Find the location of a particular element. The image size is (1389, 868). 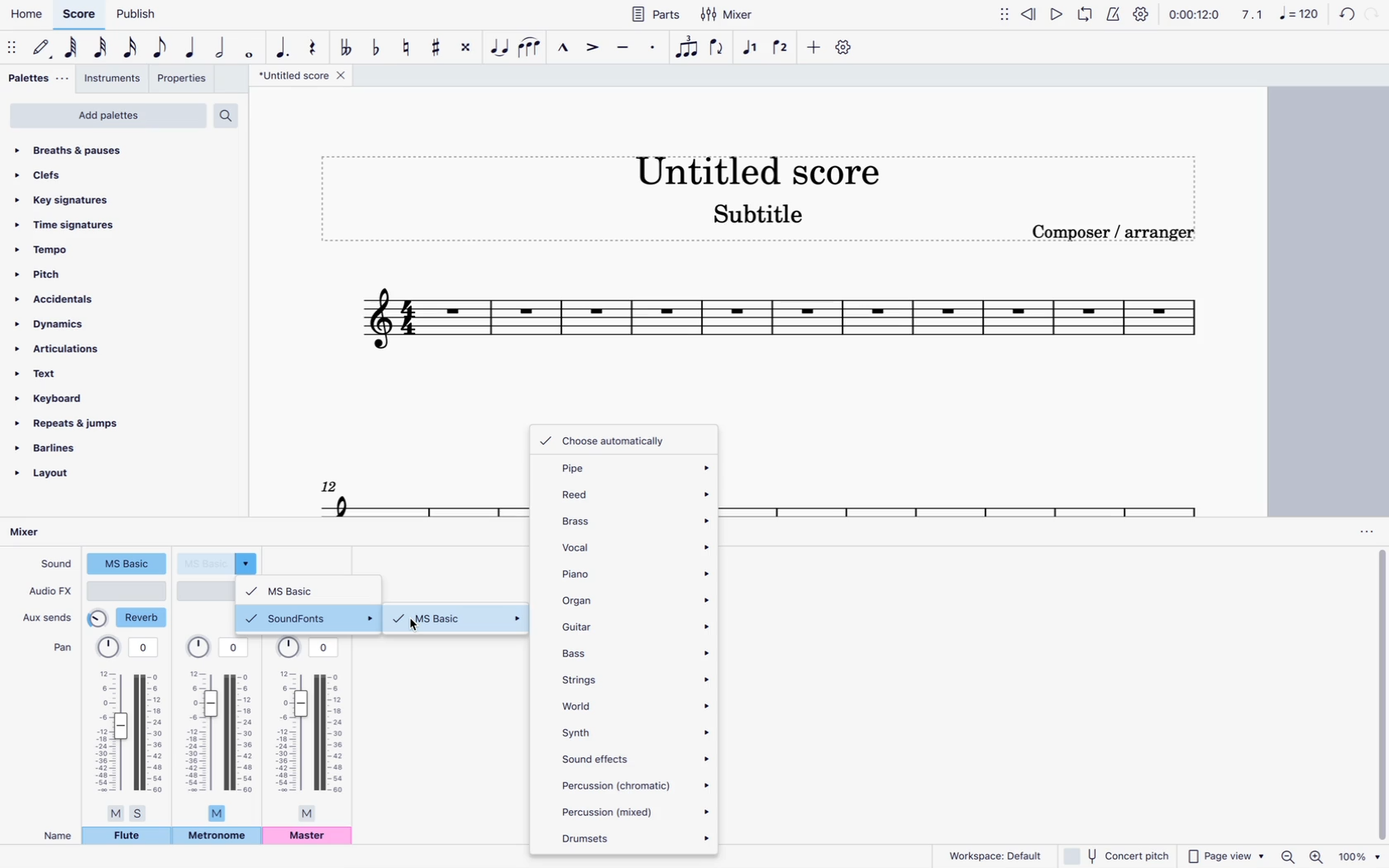

choose automatically is located at coordinates (618, 439).